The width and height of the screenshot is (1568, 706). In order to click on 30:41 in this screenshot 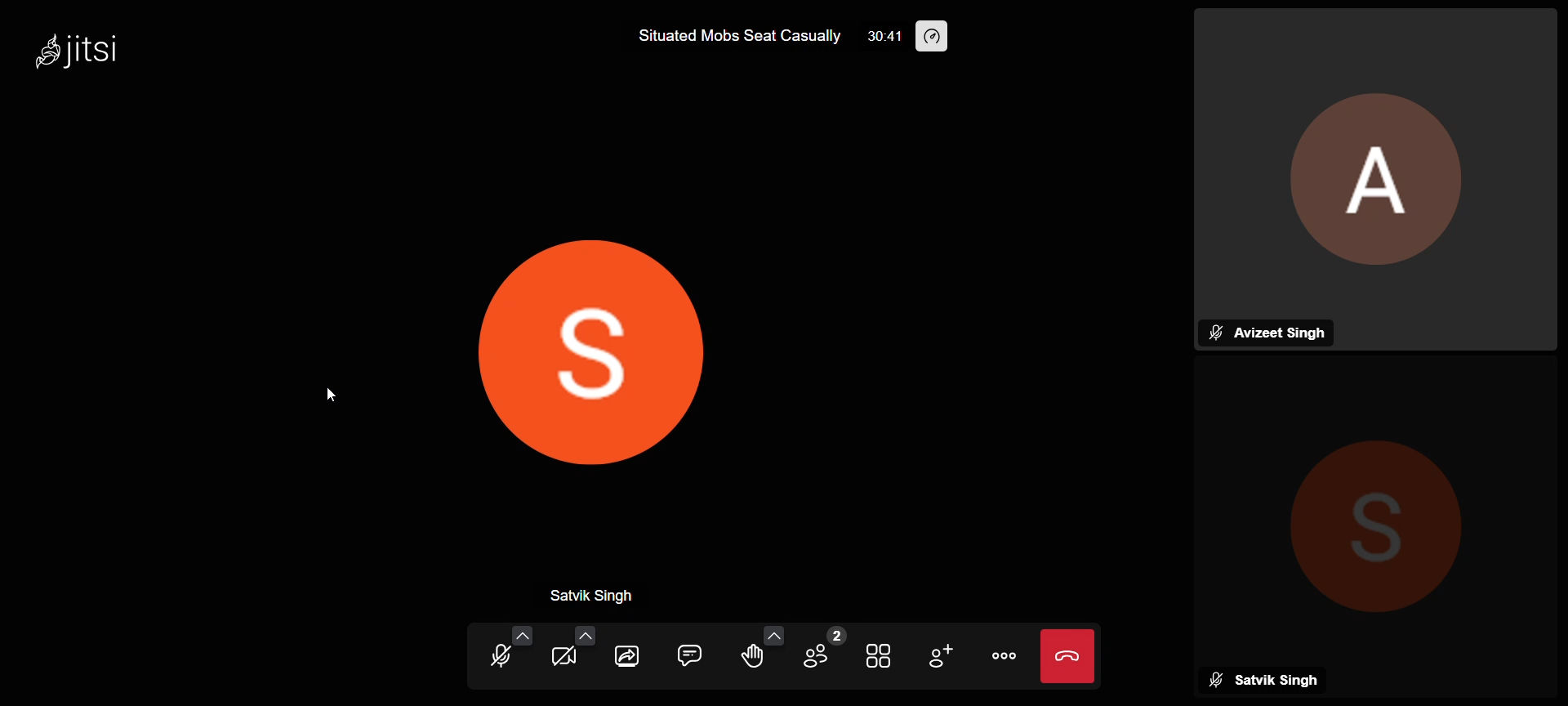, I will do `click(886, 38)`.